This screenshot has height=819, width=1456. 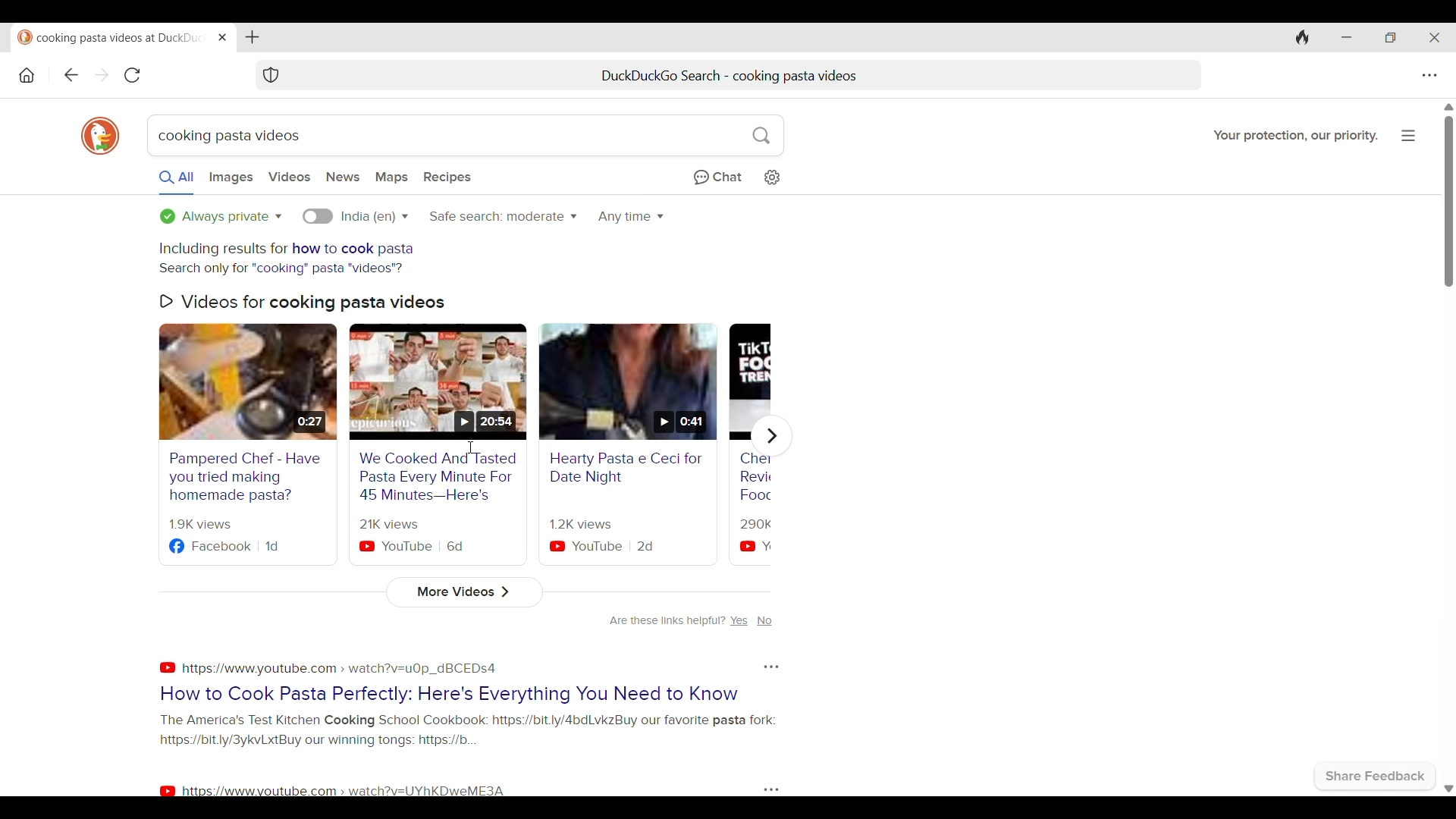 I want to click on Show next video, so click(x=772, y=435).